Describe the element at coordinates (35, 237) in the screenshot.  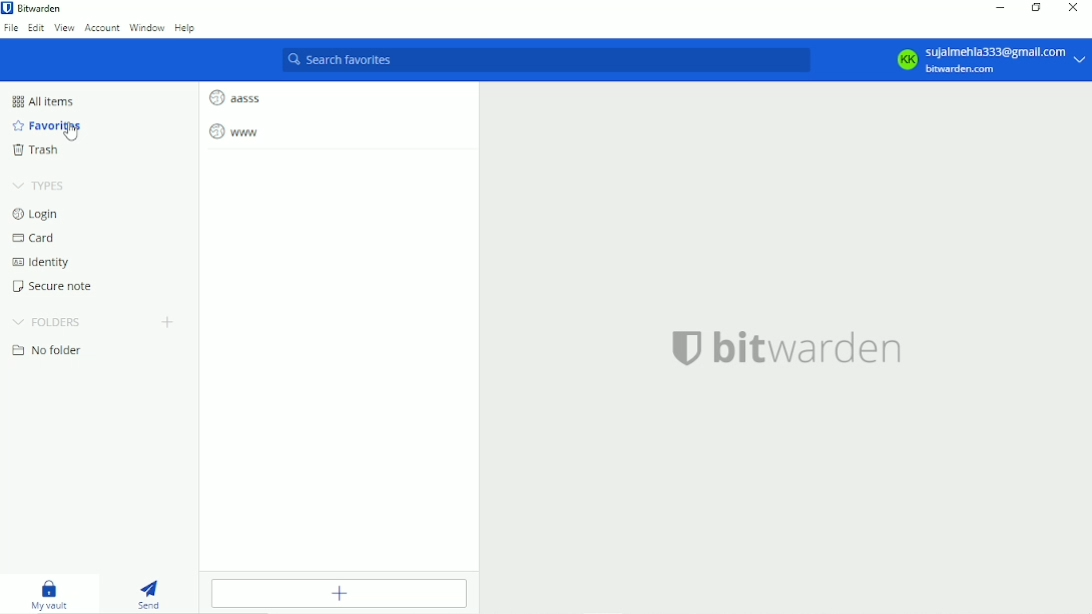
I see `Card` at that location.